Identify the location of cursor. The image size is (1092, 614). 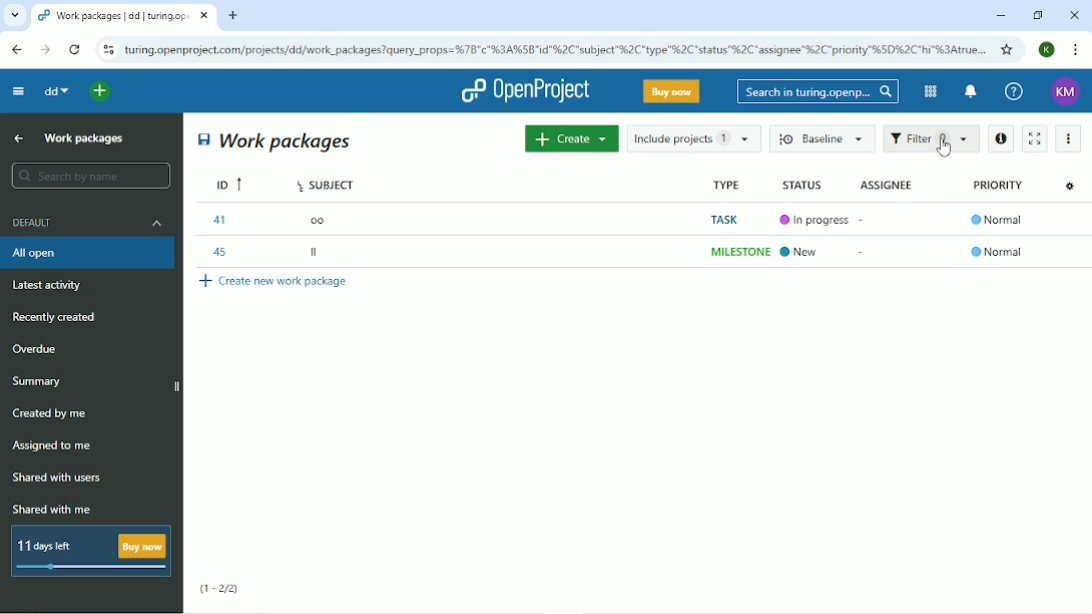
(939, 150).